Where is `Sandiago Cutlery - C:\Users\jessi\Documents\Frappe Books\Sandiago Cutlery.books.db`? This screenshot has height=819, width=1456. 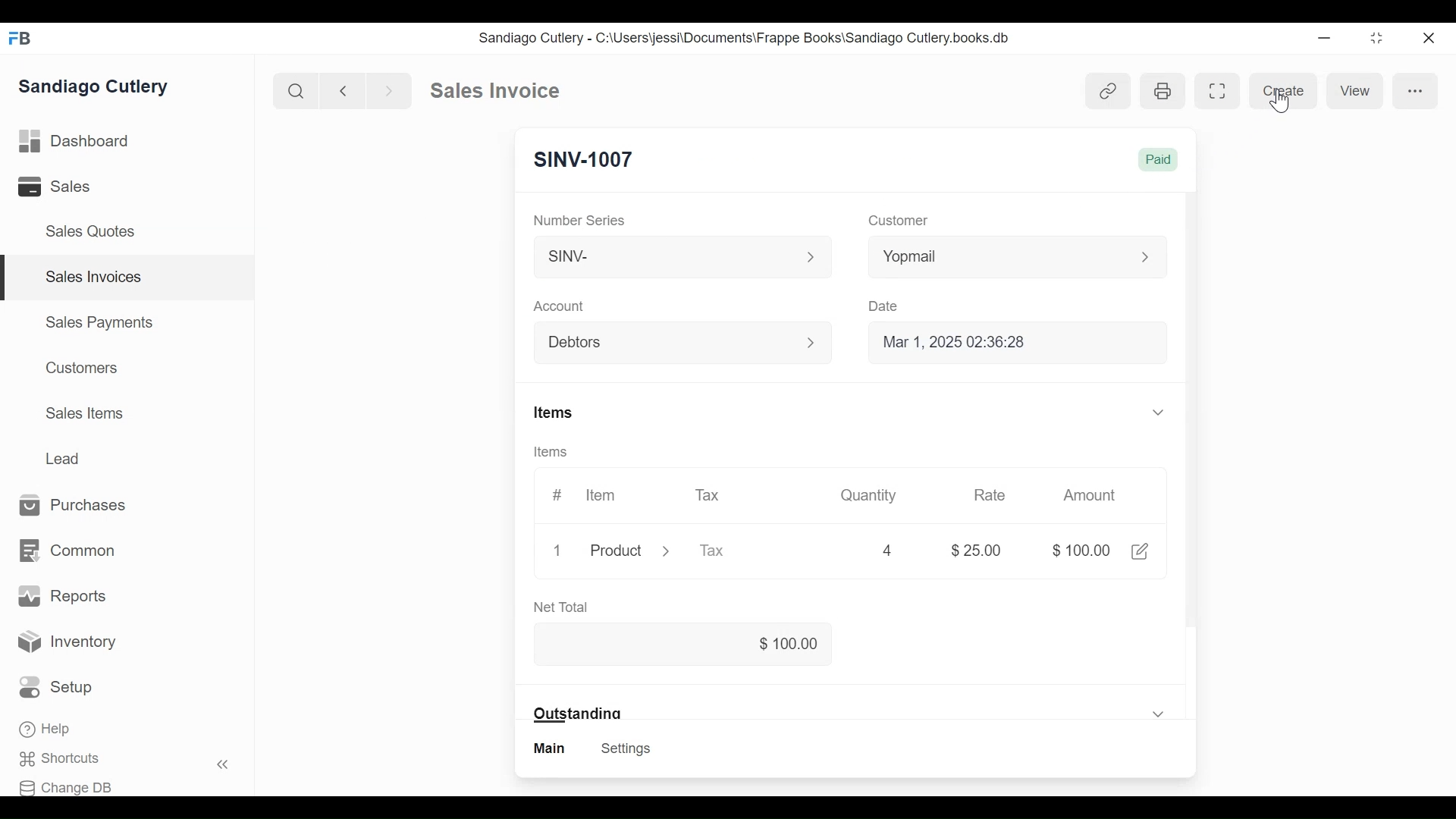 Sandiago Cutlery - C:\Users\jessi\Documents\Frappe Books\Sandiago Cutlery.books.db is located at coordinates (745, 39).